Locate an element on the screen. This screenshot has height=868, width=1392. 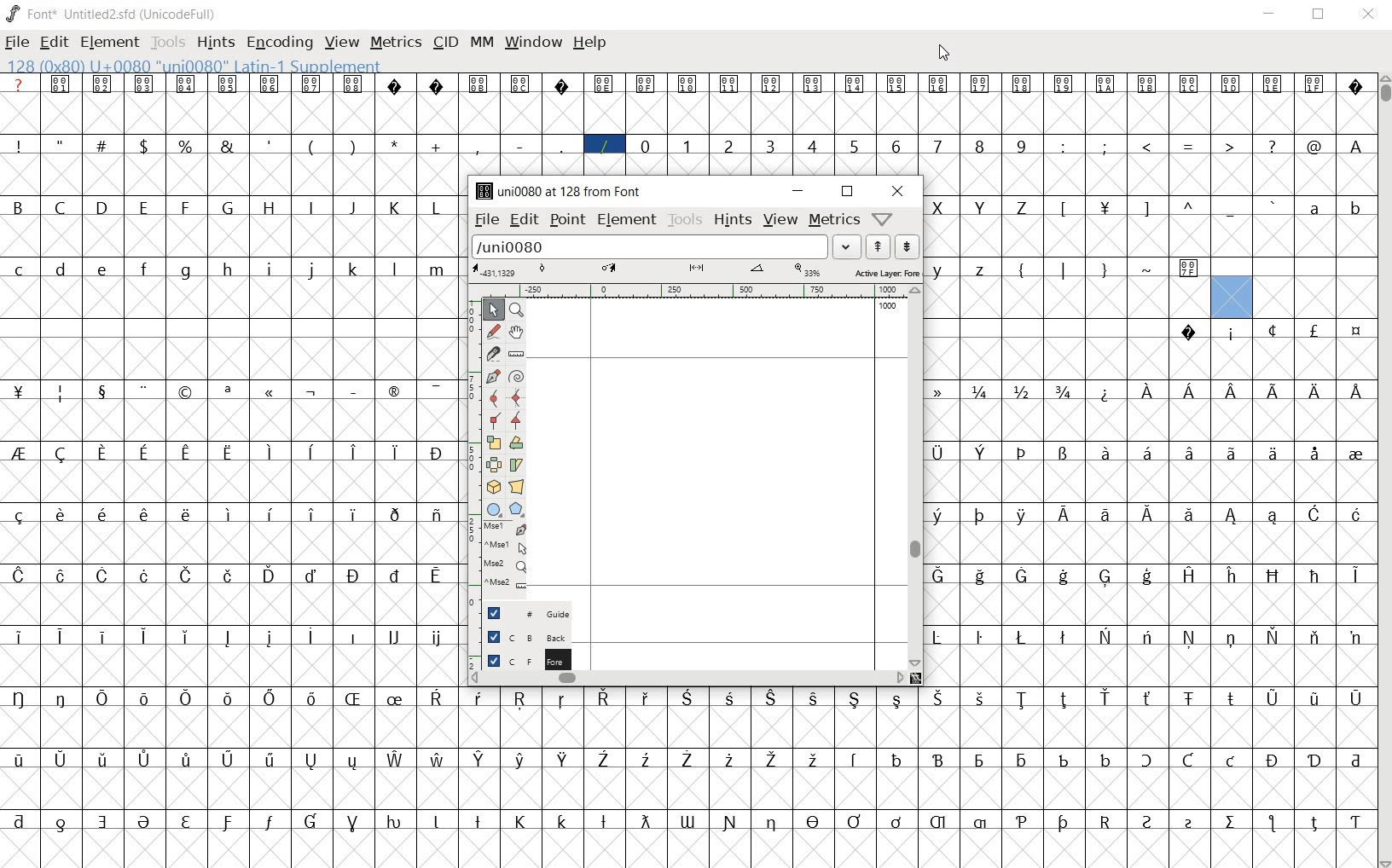
glyph is located at coordinates (353, 824).